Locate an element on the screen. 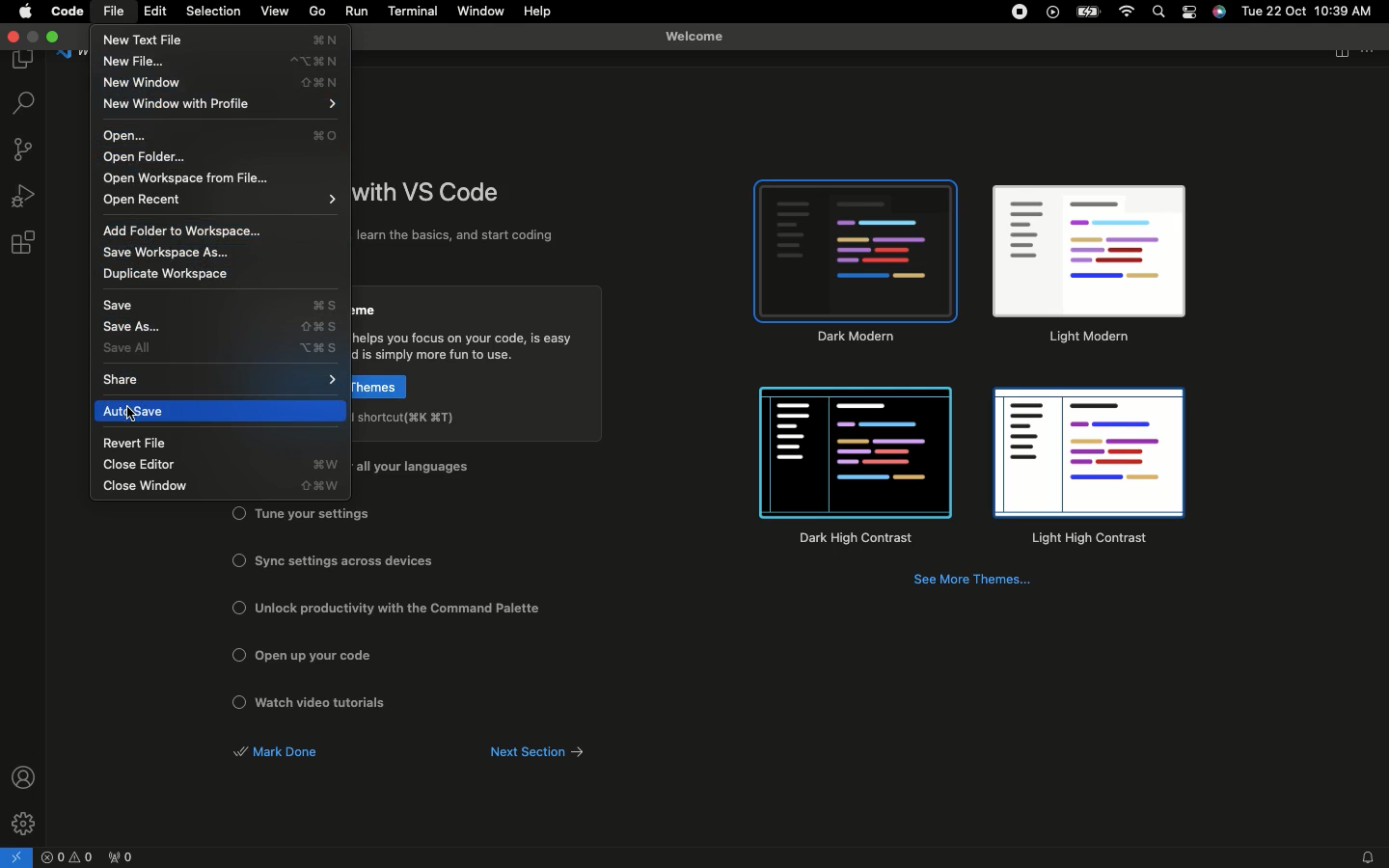 The height and width of the screenshot is (868, 1389). Expand is located at coordinates (55, 37).